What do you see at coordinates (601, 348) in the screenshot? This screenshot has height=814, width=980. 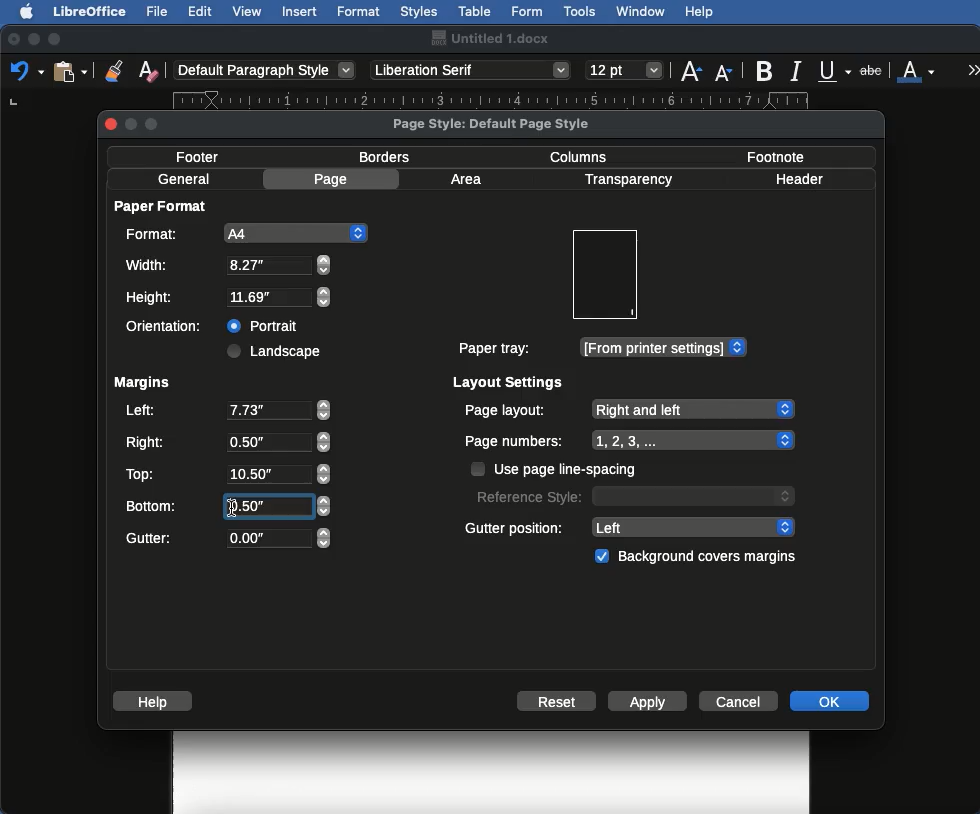 I see `Paper tray` at bounding box center [601, 348].